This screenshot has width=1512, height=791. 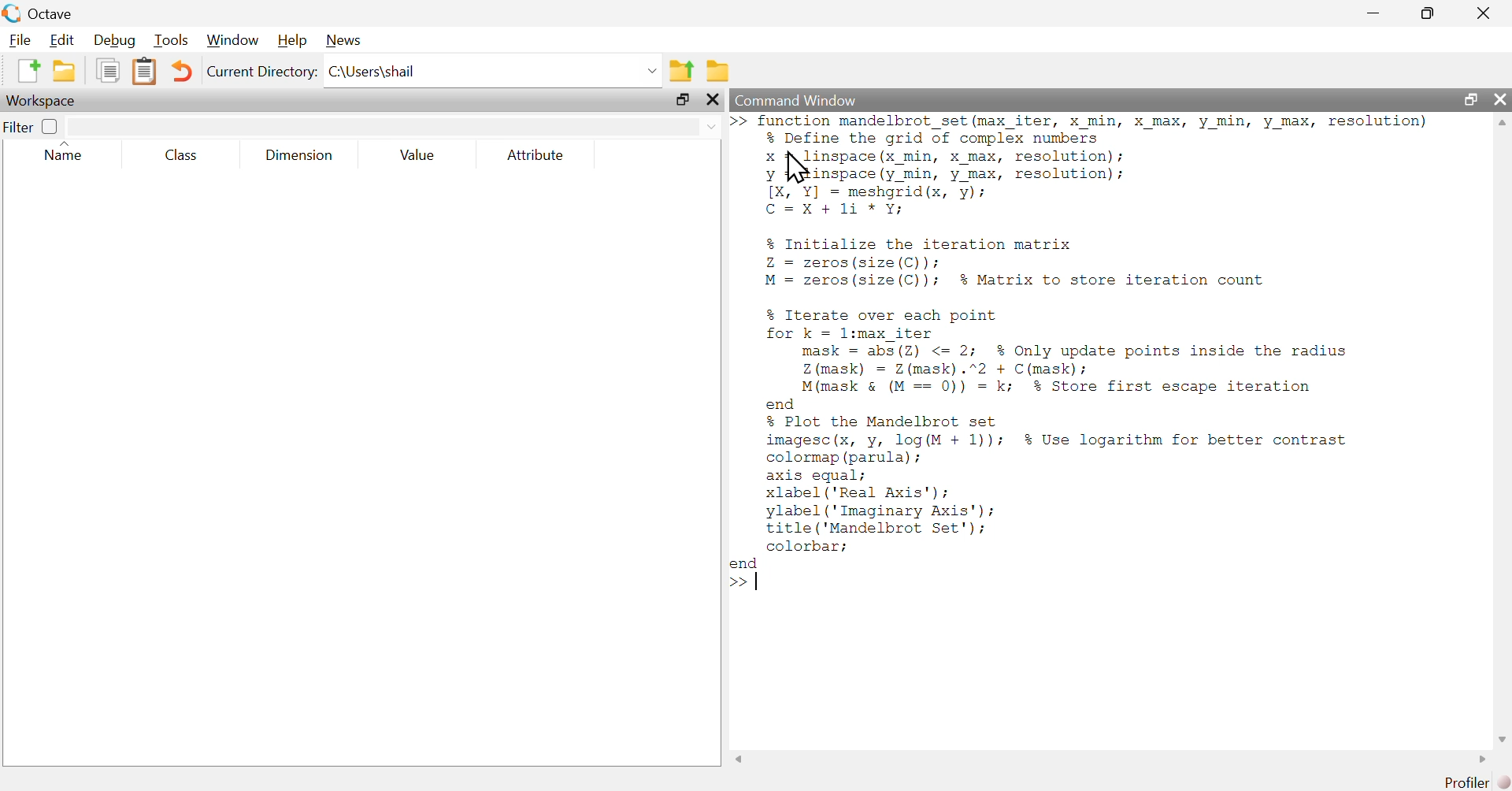 I want to click on Attribute, so click(x=537, y=156).